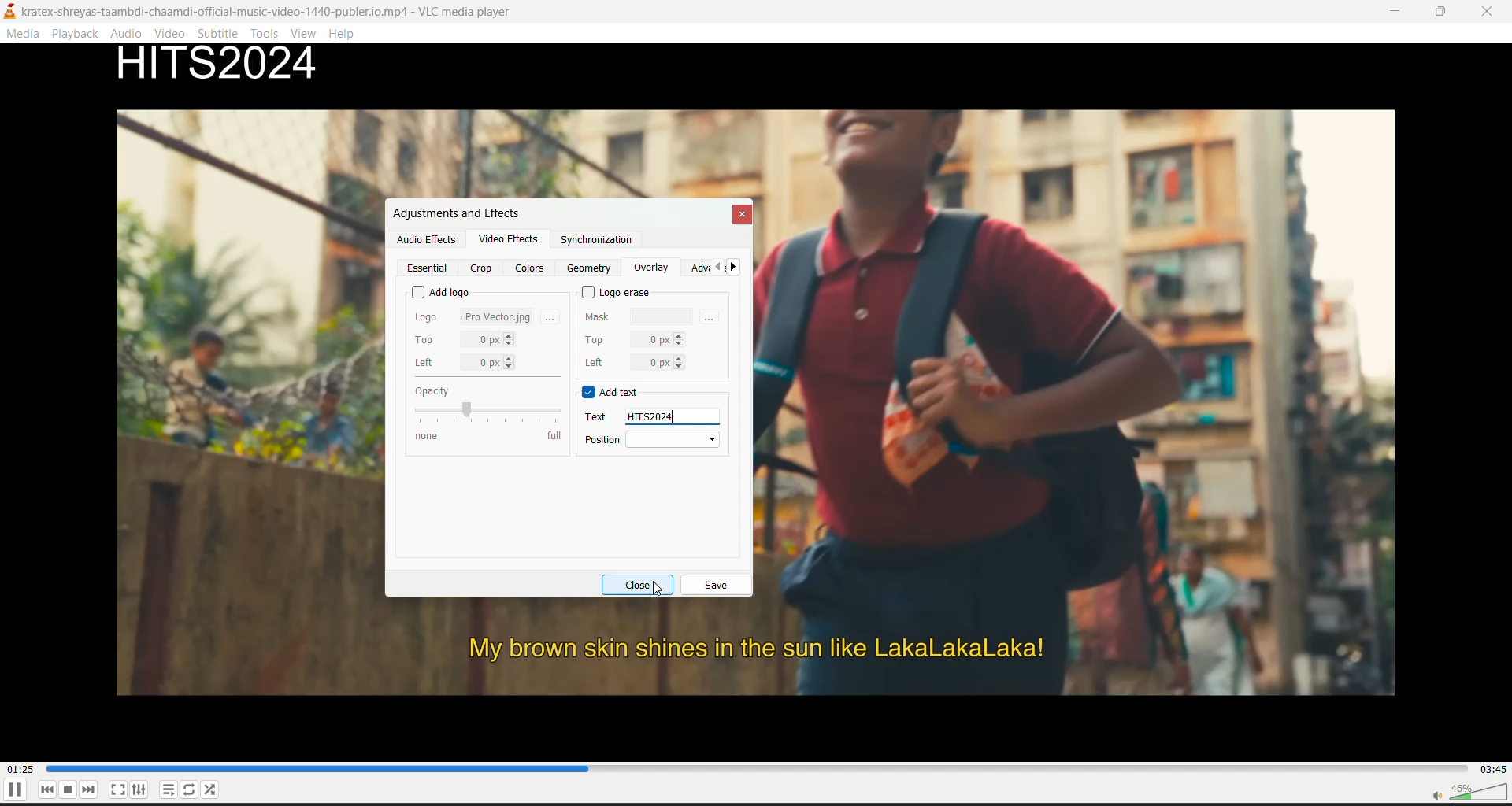  Describe the element at coordinates (130, 35) in the screenshot. I see `audio` at that location.